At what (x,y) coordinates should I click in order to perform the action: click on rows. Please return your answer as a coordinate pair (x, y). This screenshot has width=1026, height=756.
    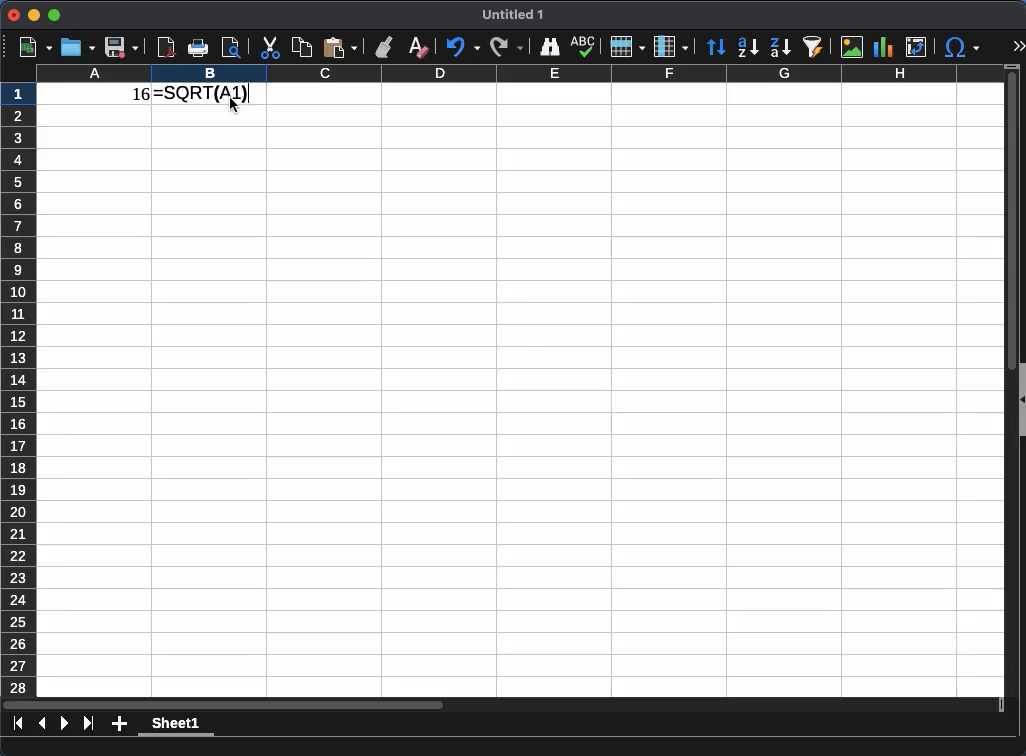
    Looking at the image, I should click on (19, 388).